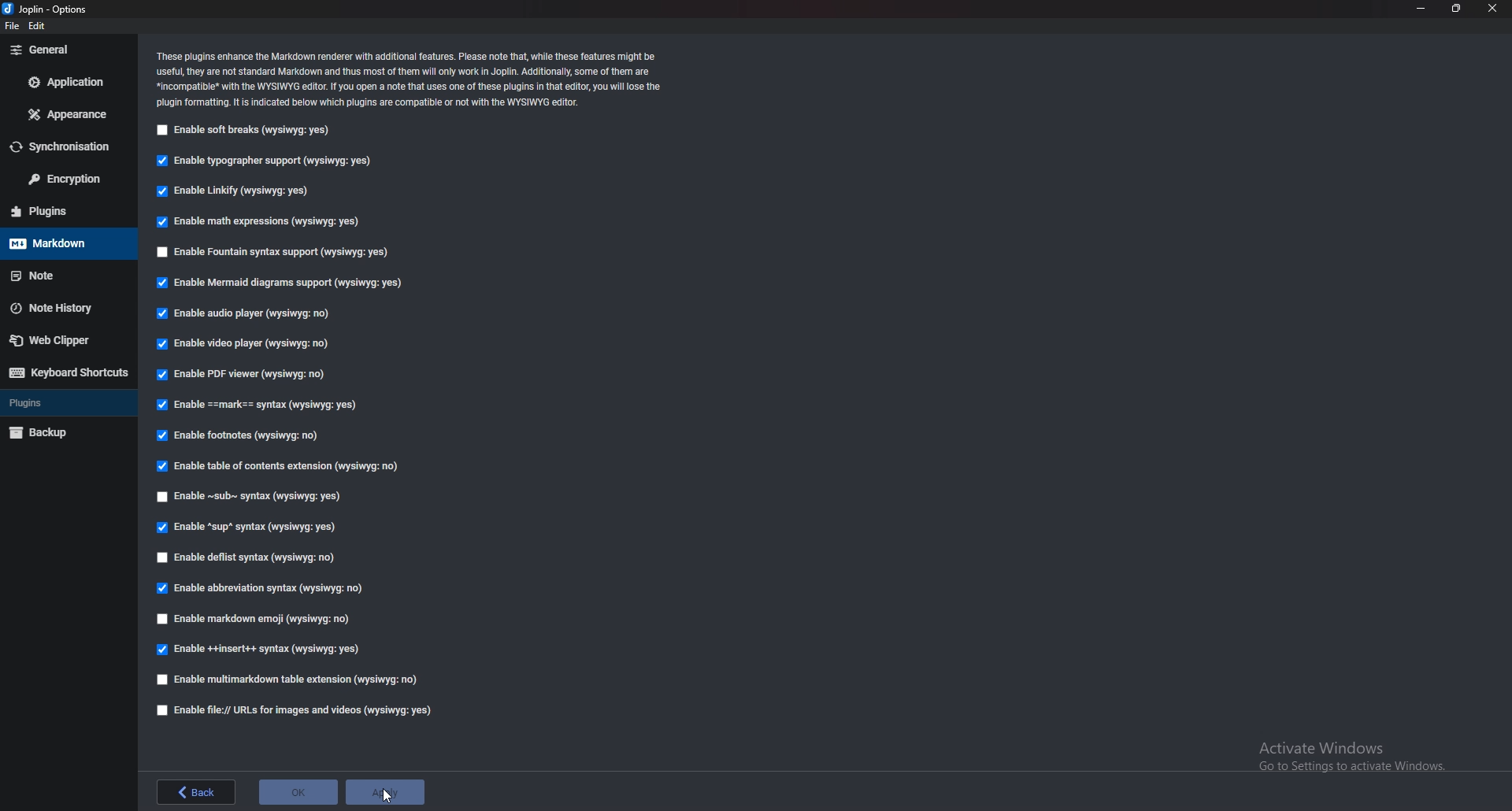  Describe the element at coordinates (250, 620) in the screenshot. I see `enable markdown emoji` at that location.